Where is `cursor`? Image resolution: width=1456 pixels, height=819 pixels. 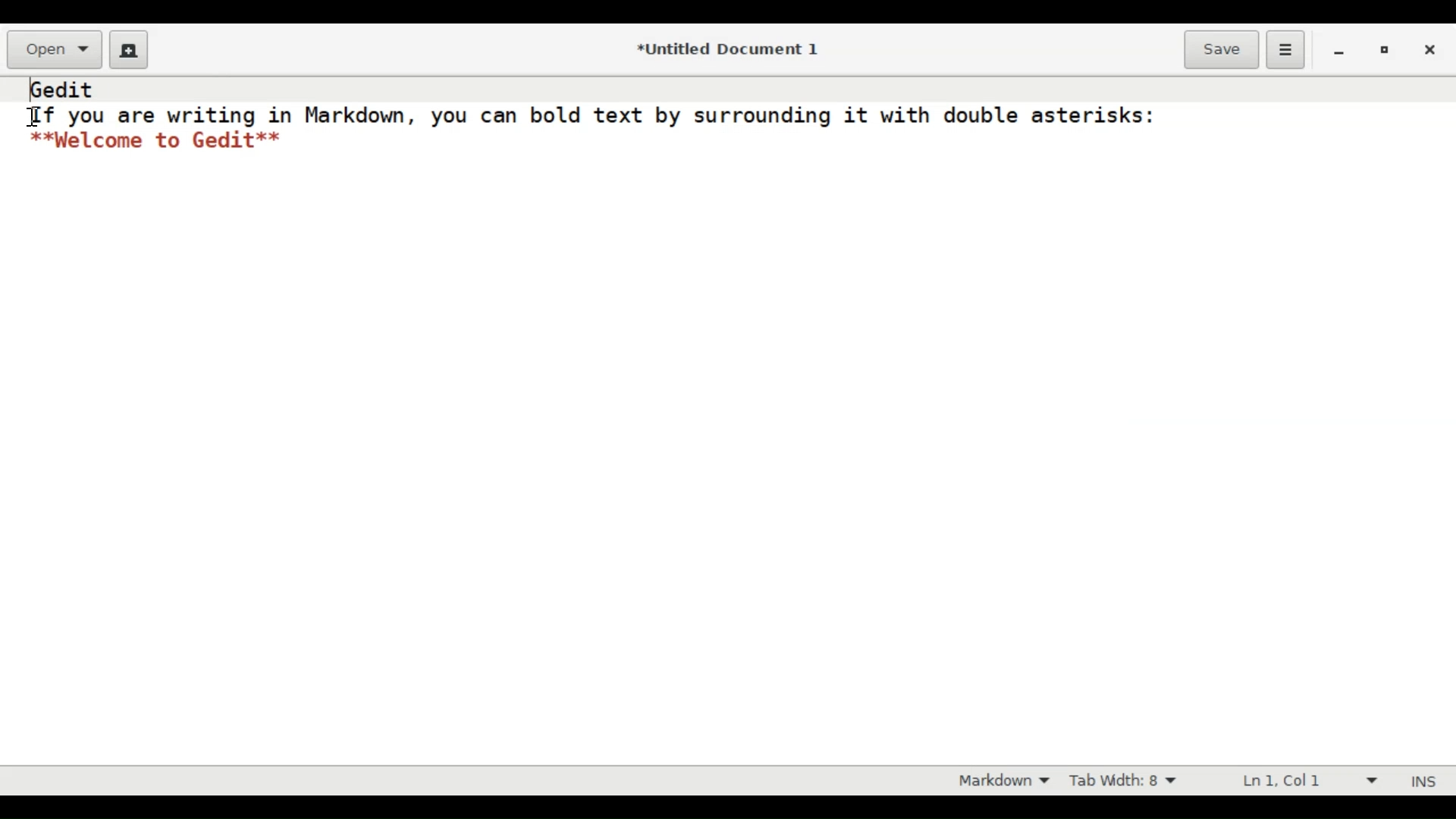 cursor is located at coordinates (33, 113).